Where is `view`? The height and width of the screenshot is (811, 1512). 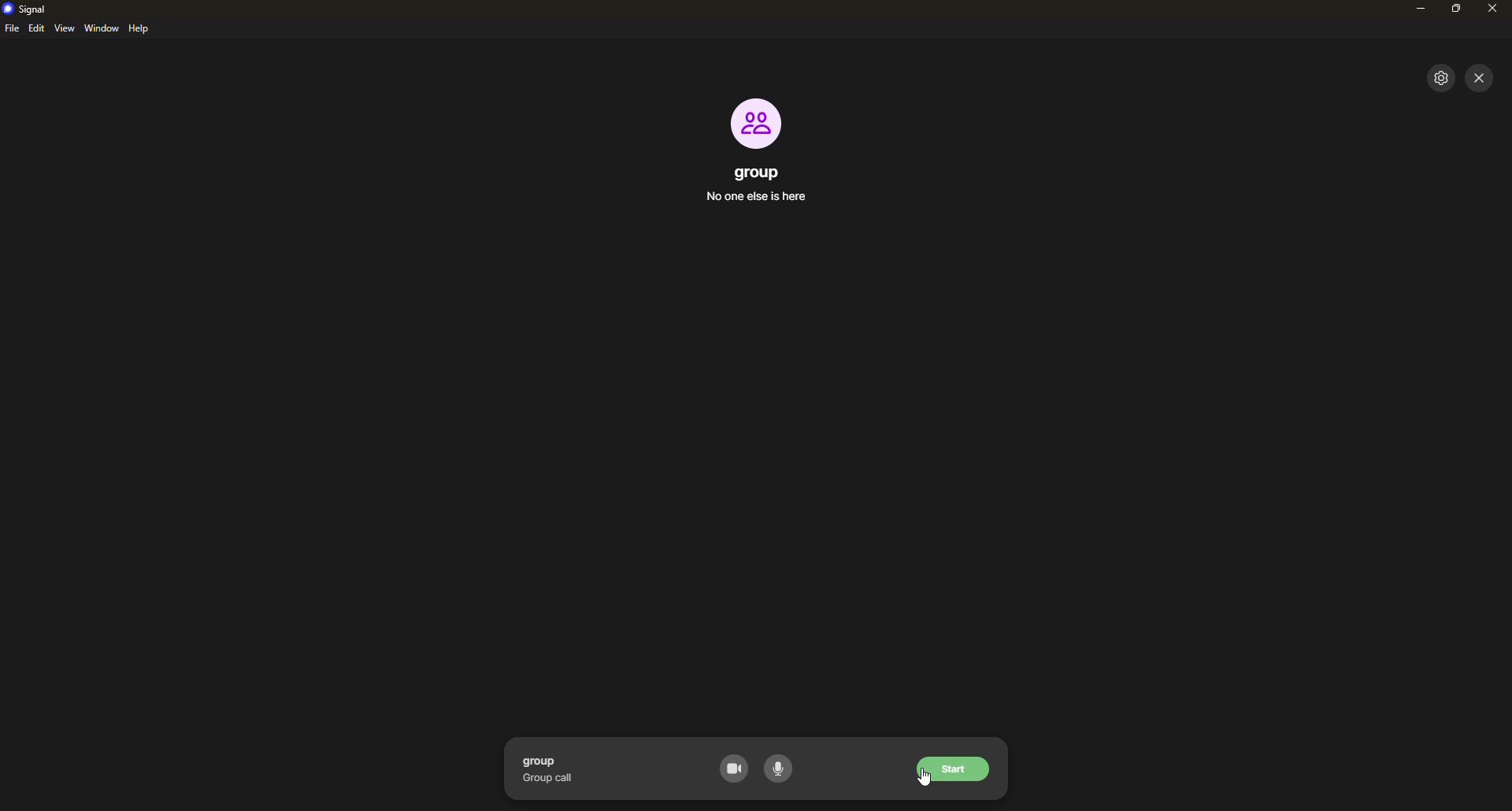 view is located at coordinates (65, 28).